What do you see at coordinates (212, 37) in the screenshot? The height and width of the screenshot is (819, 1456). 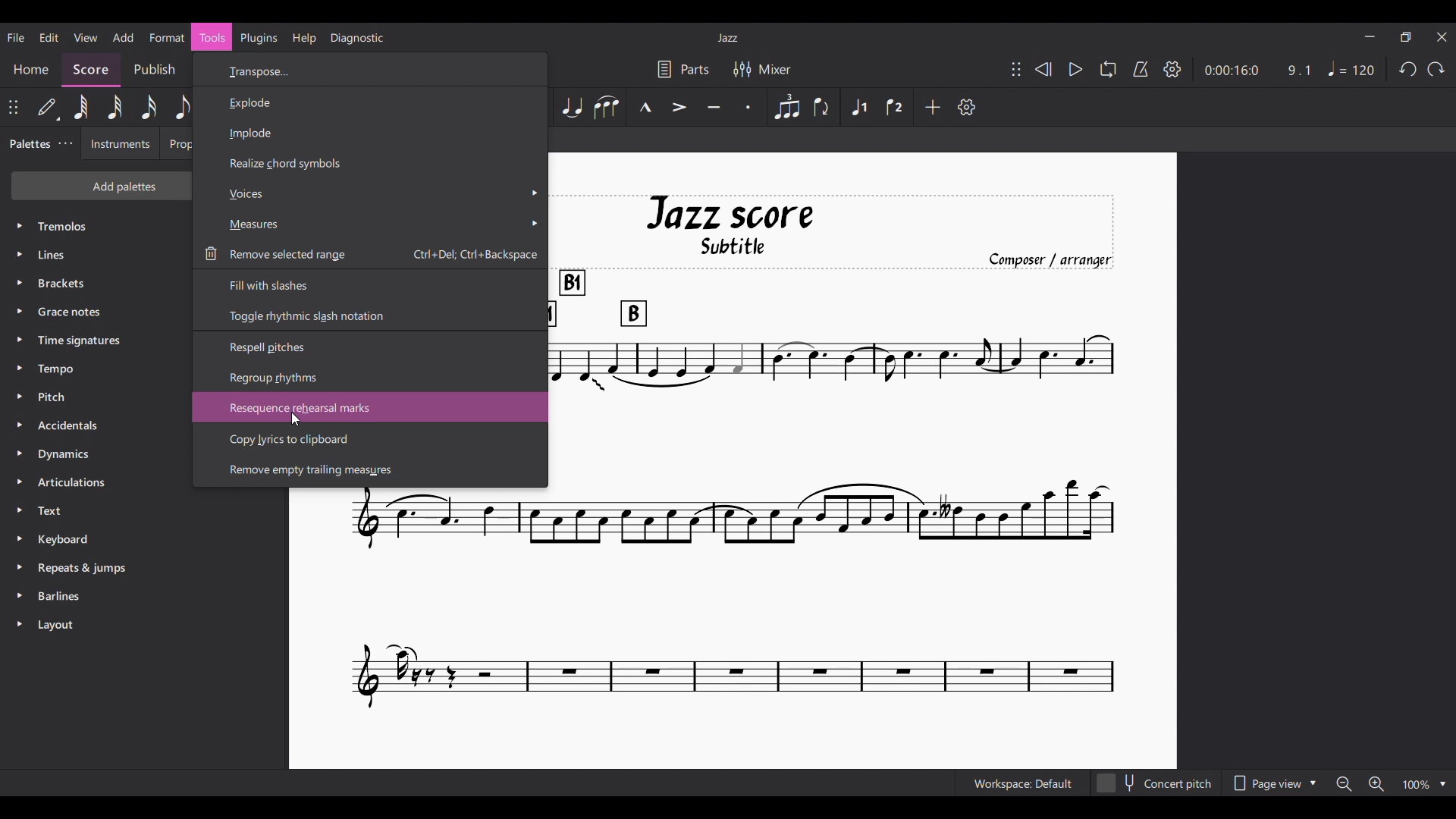 I see `Tools, highlighted as current selection` at bounding box center [212, 37].